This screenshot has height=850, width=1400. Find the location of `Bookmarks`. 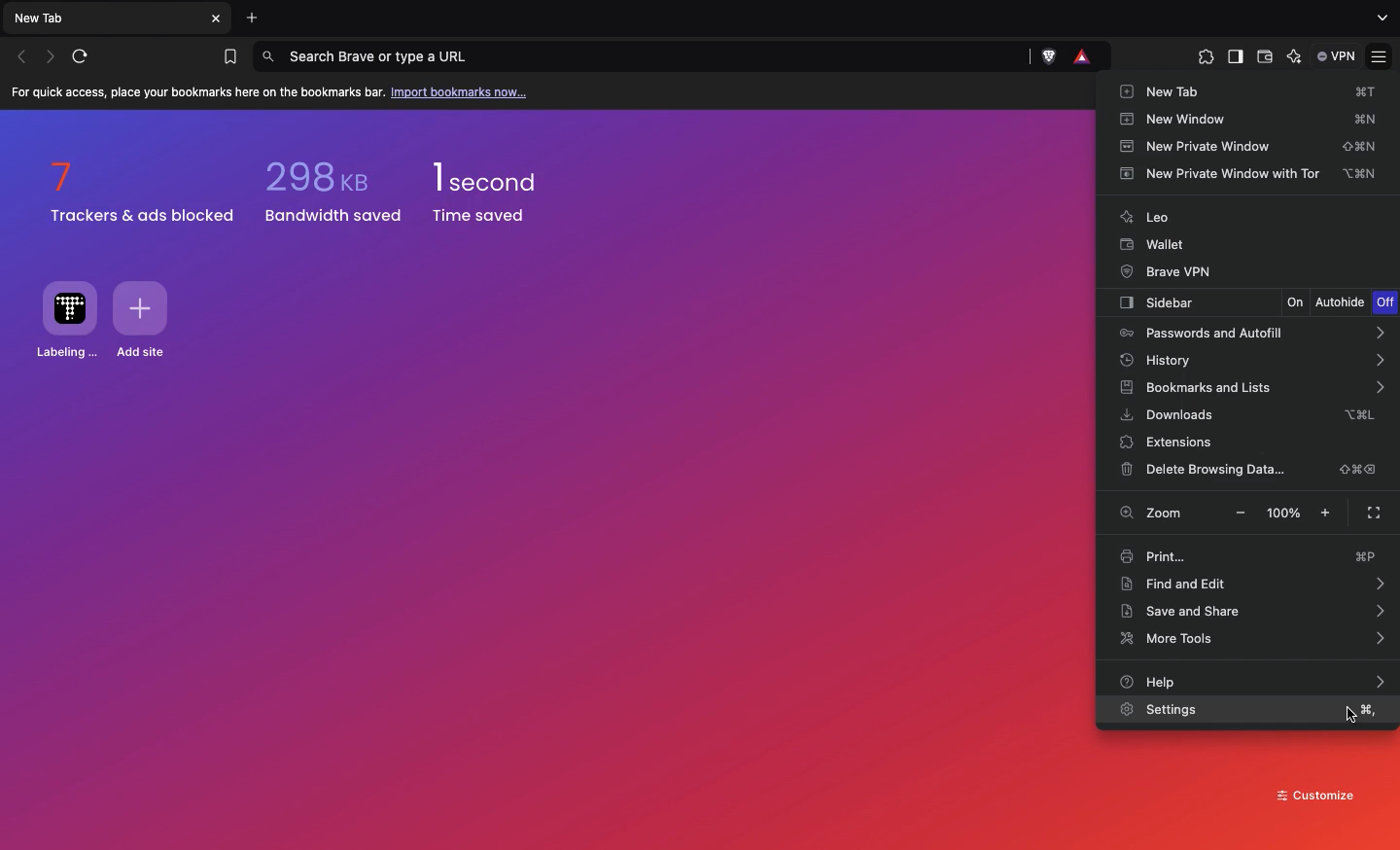

Bookmarks is located at coordinates (228, 57).